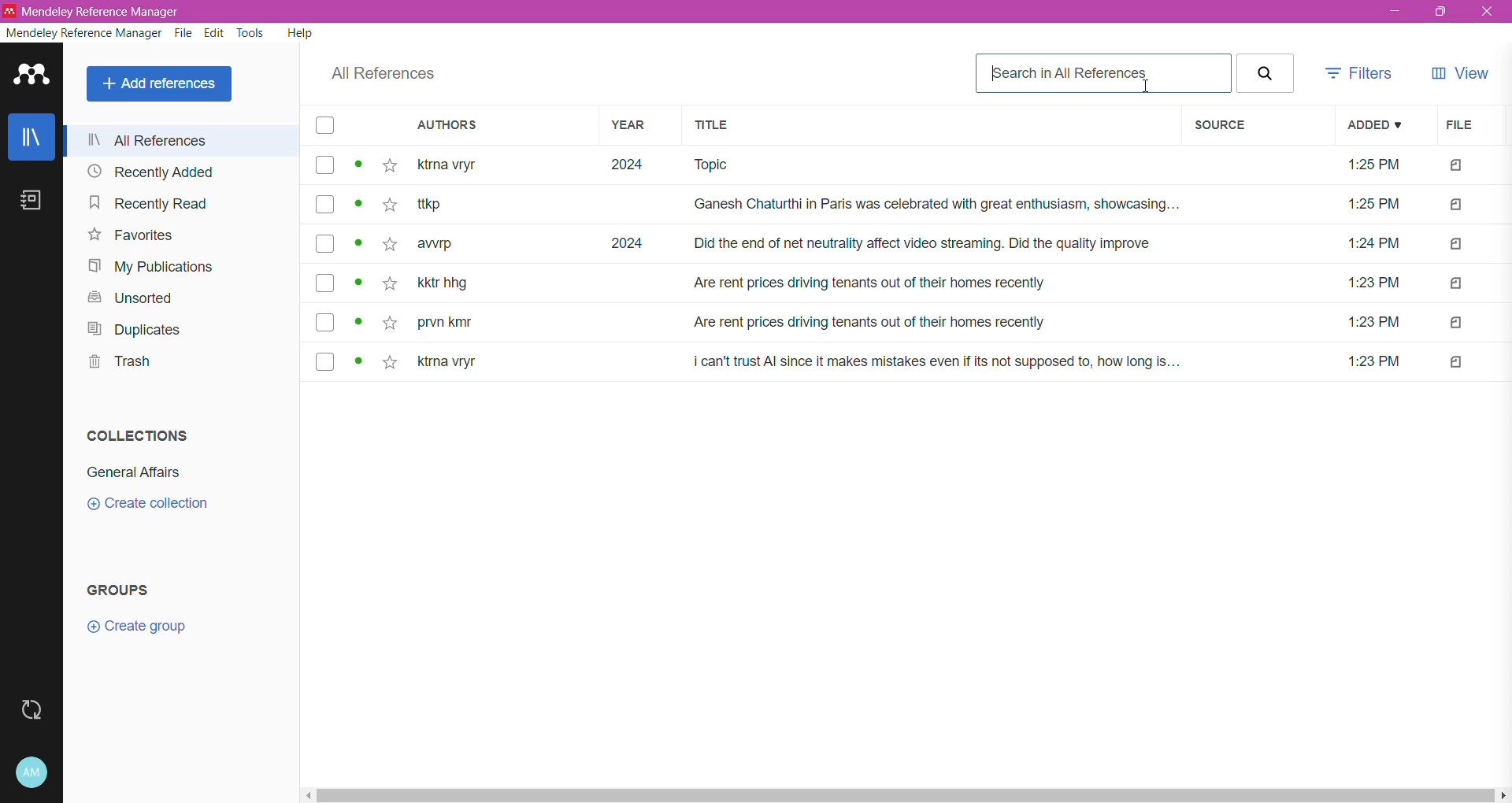 This screenshot has height=803, width=1512. What do you see at coordinates (162, 631) in the screenshot?
I see `Click to Create New Group` at bounding box center [162, 631].